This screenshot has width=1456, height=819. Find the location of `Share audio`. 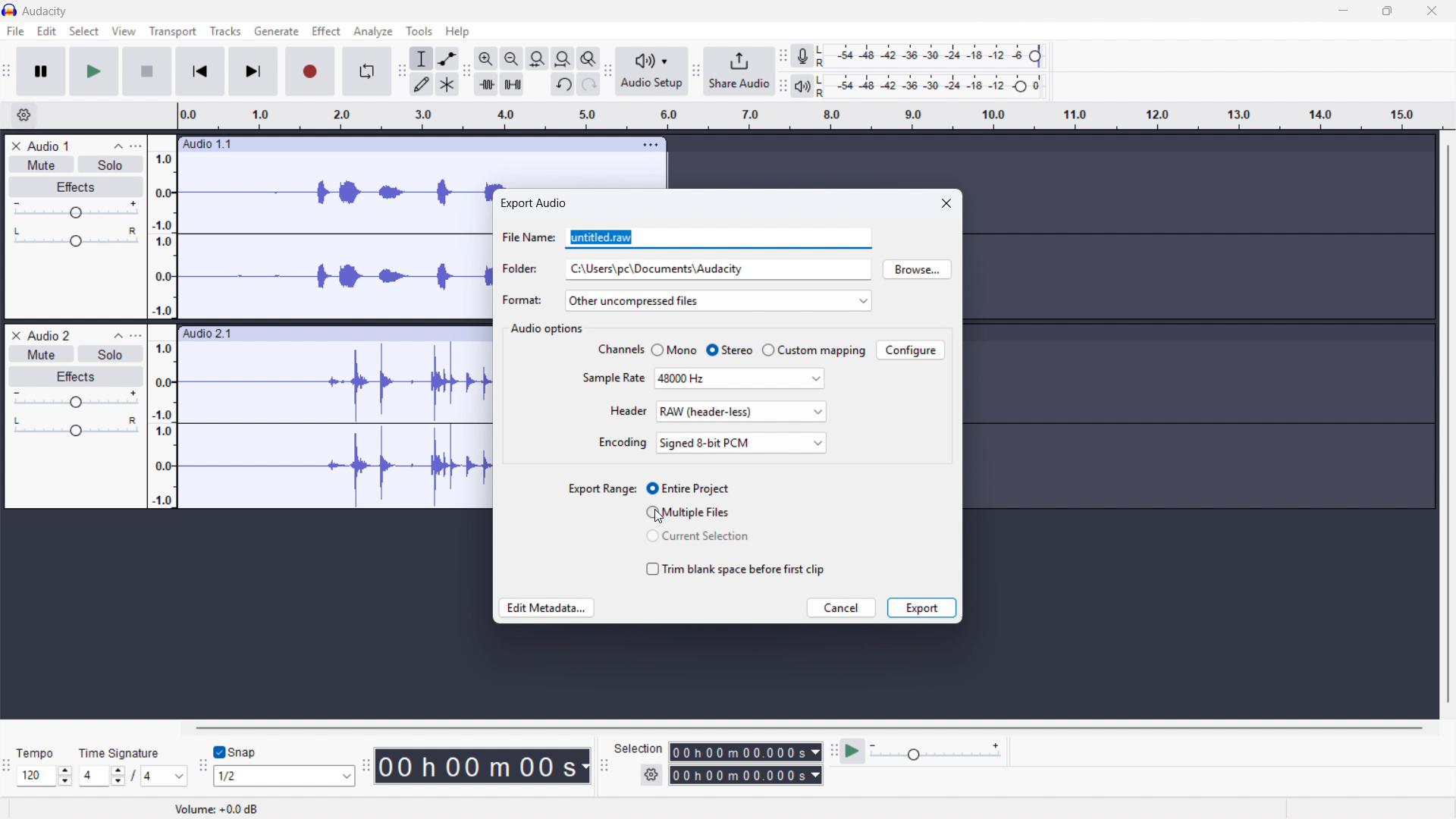

Share audio is located at coordinates (739, 71).